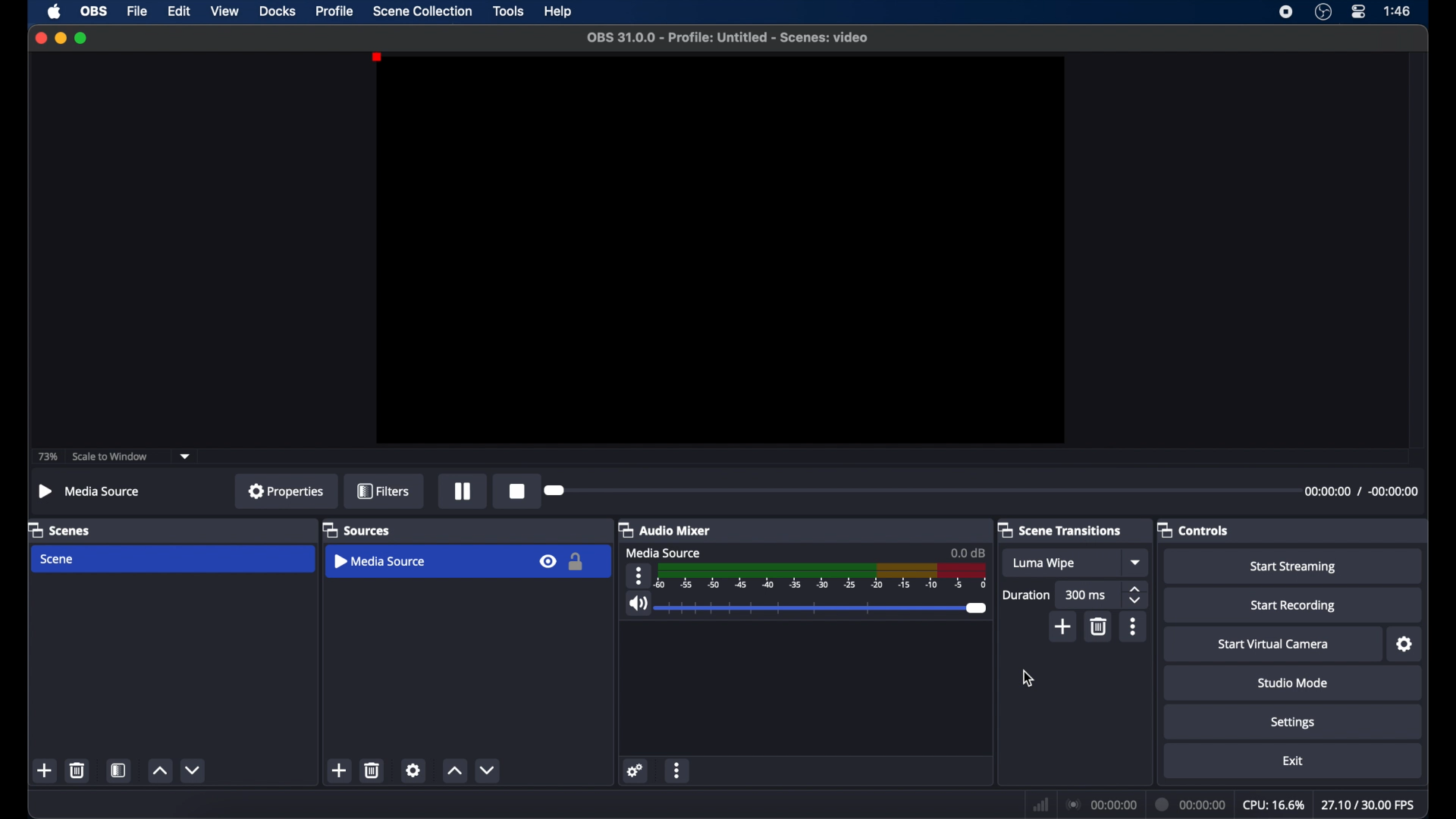 The height and width of the screenshot is (819, 1456). Describe the element at coordinates (488, 770) in the screenshot. I see `decrement` at that location.